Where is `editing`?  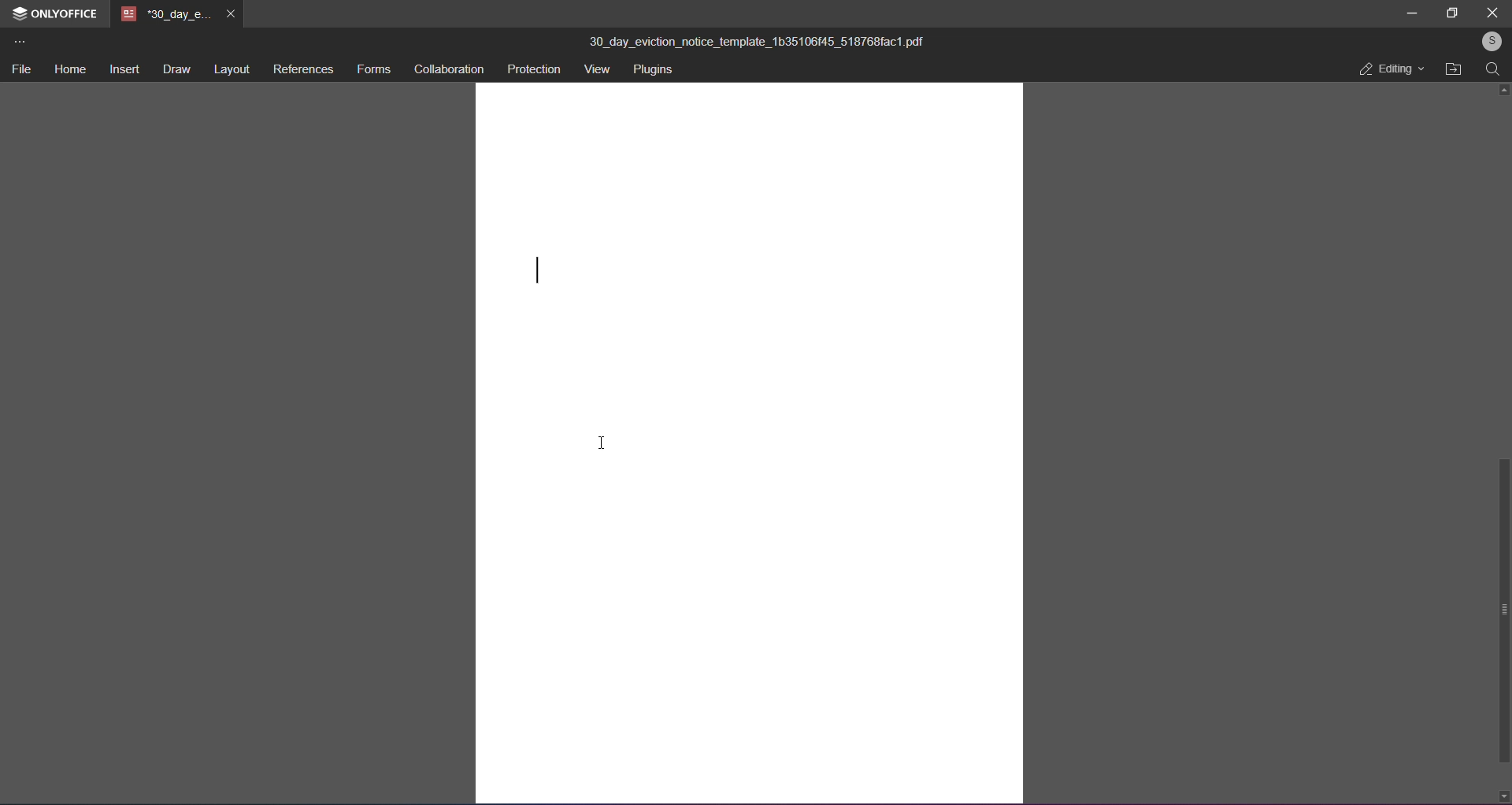 editing is located at coordinates (1388, 72).